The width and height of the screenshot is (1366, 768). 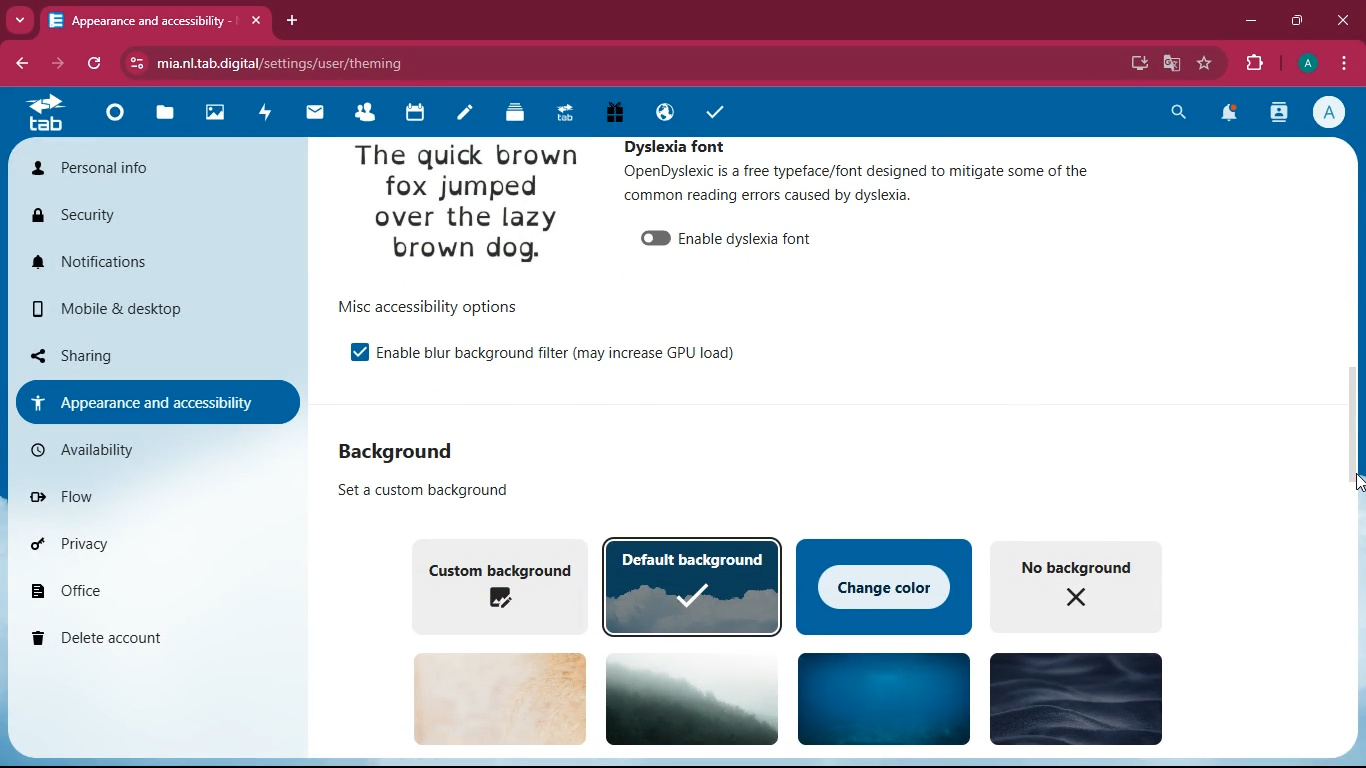 I want to click on background, so click(x=1074, y=697).